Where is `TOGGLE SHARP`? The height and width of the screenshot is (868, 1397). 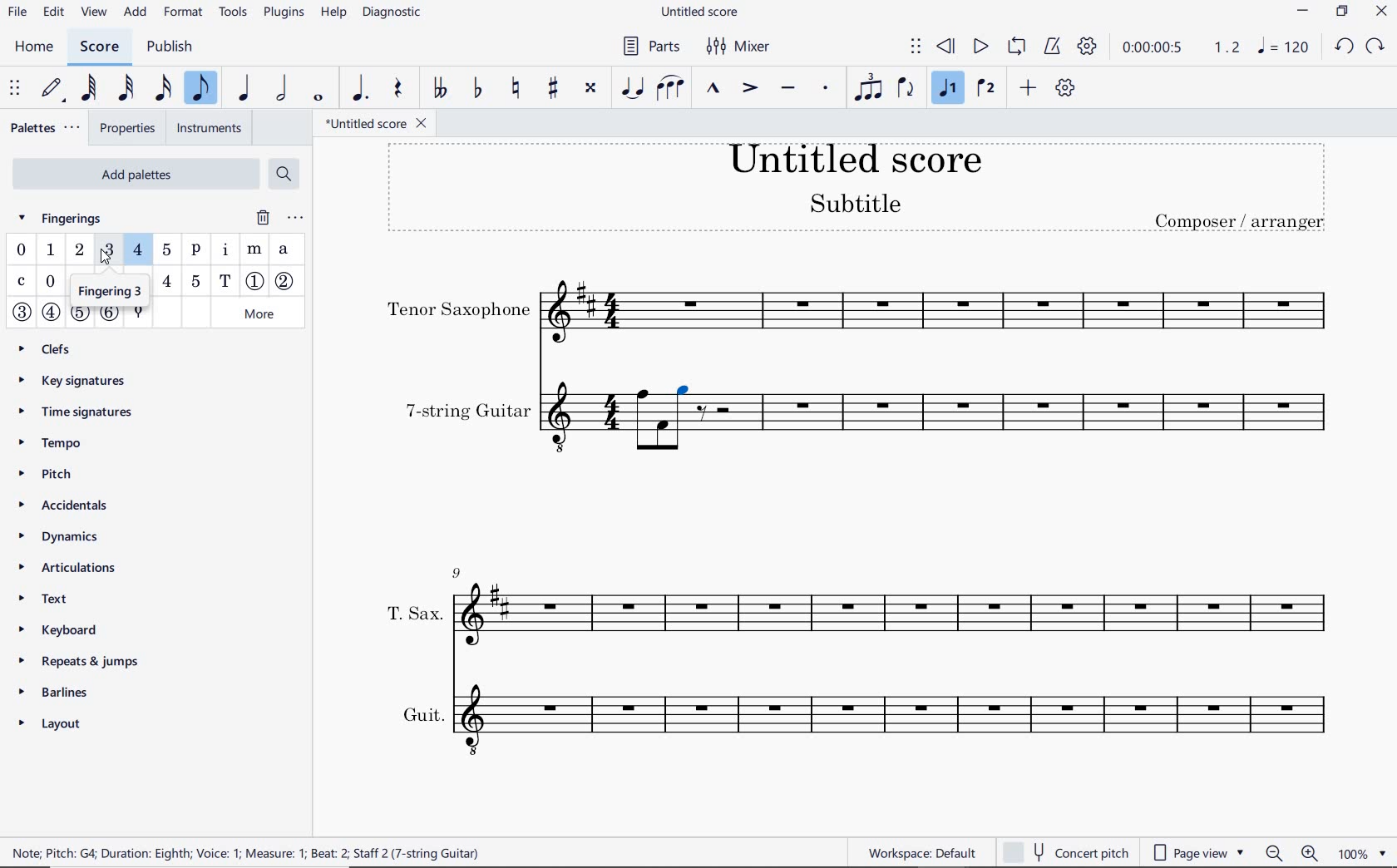 TOGGLE SHARP is located at coordinates (553, 87).